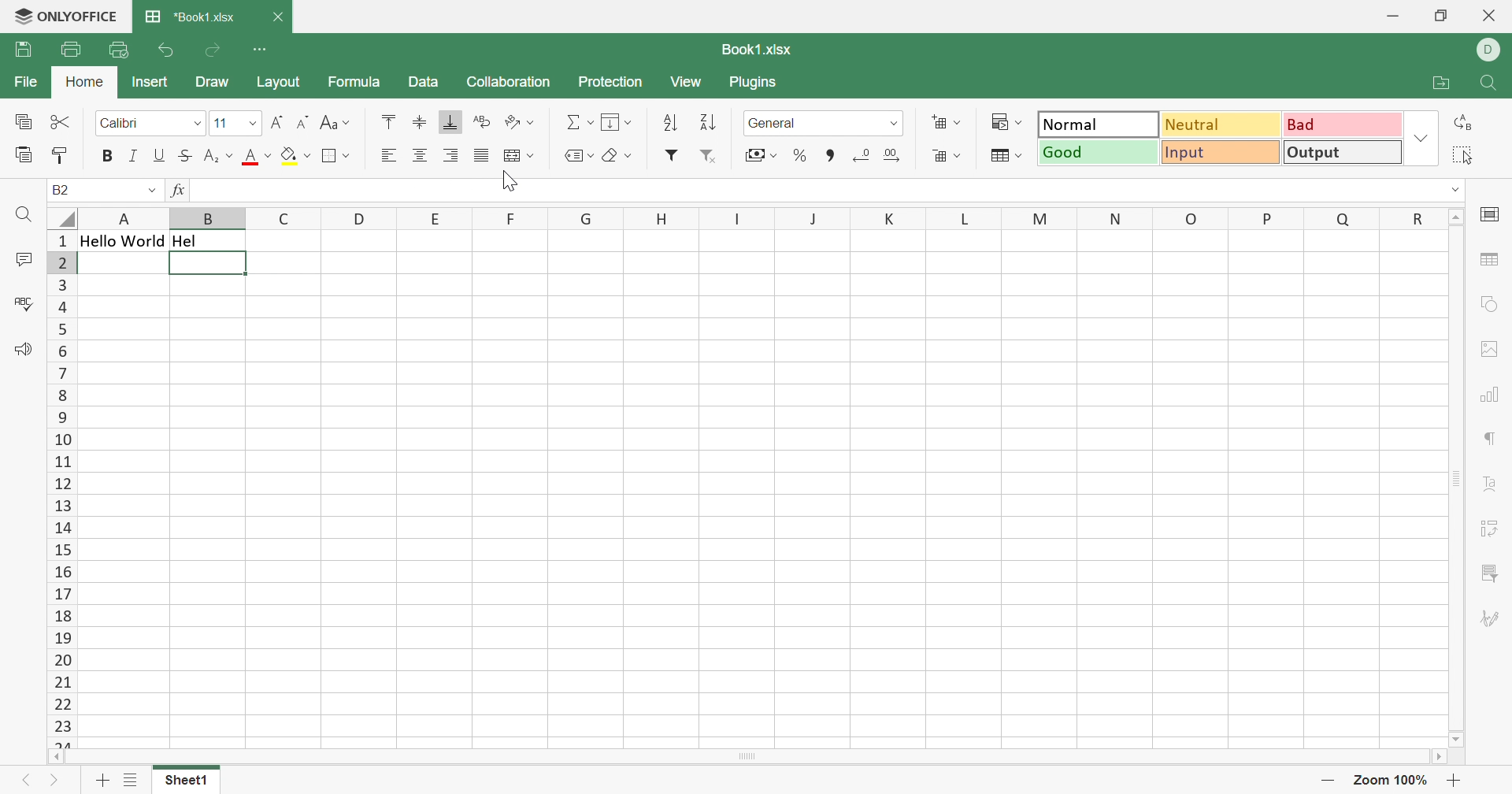  What do you see at coordinates (19, 260) in the screenshot?
I see `Comments` at bounding box center [19, 260].